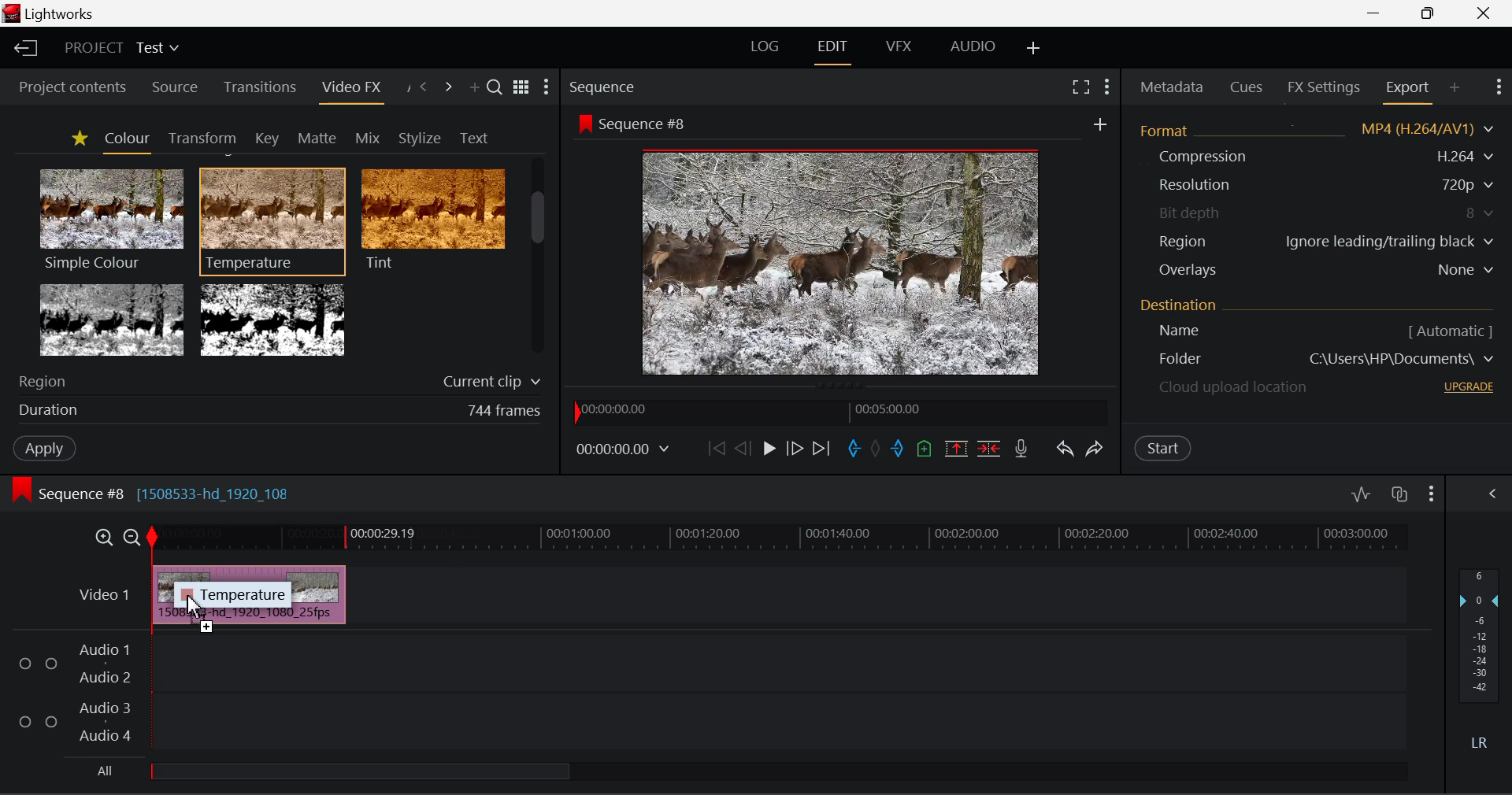 The image size is (1512, 795). Describe the element at coordinates (832, 51) in the screenshot. I see `EDIT Layout` at that location.